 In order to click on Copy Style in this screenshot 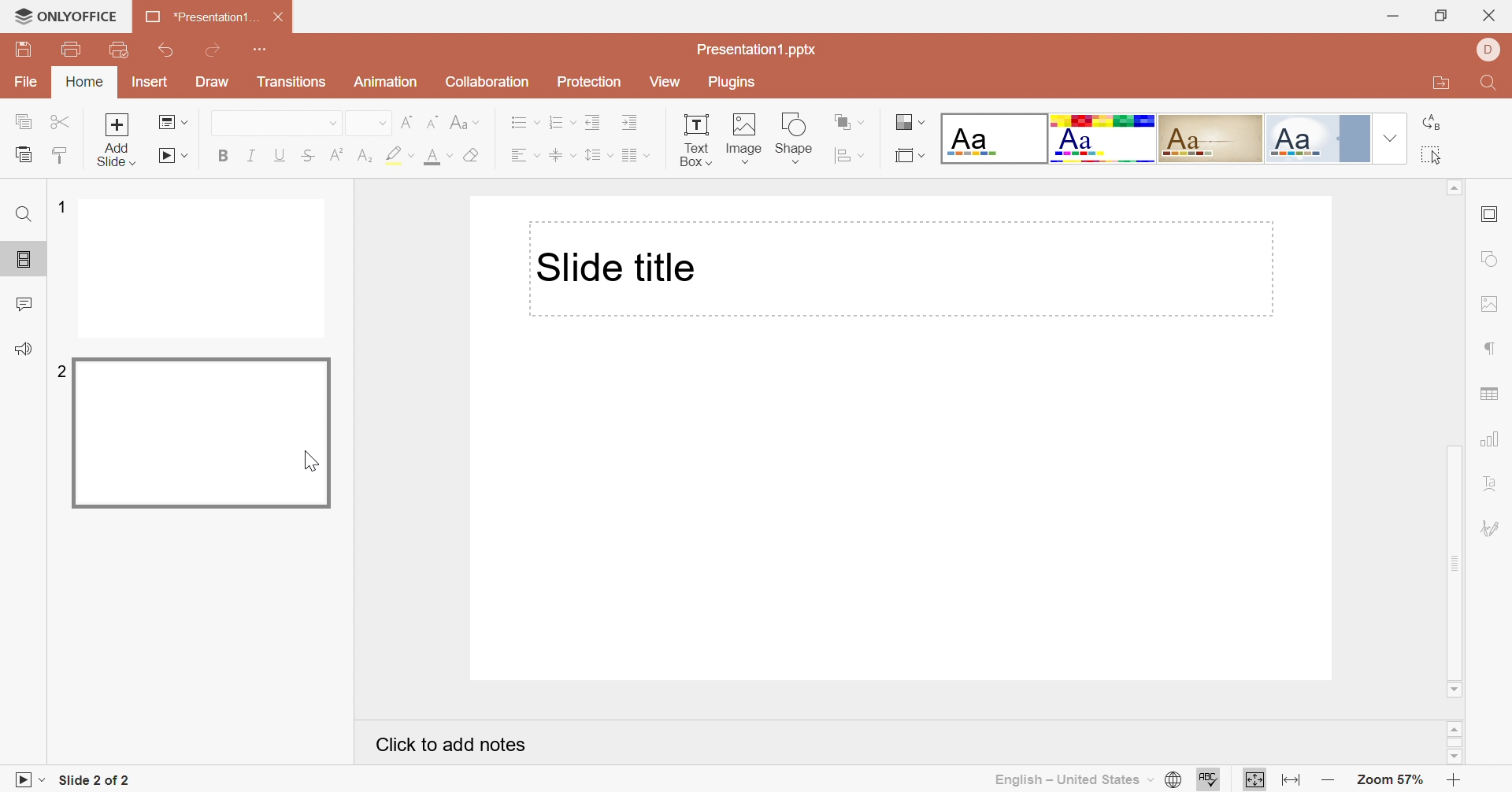, I will do `click(62, 156)`.